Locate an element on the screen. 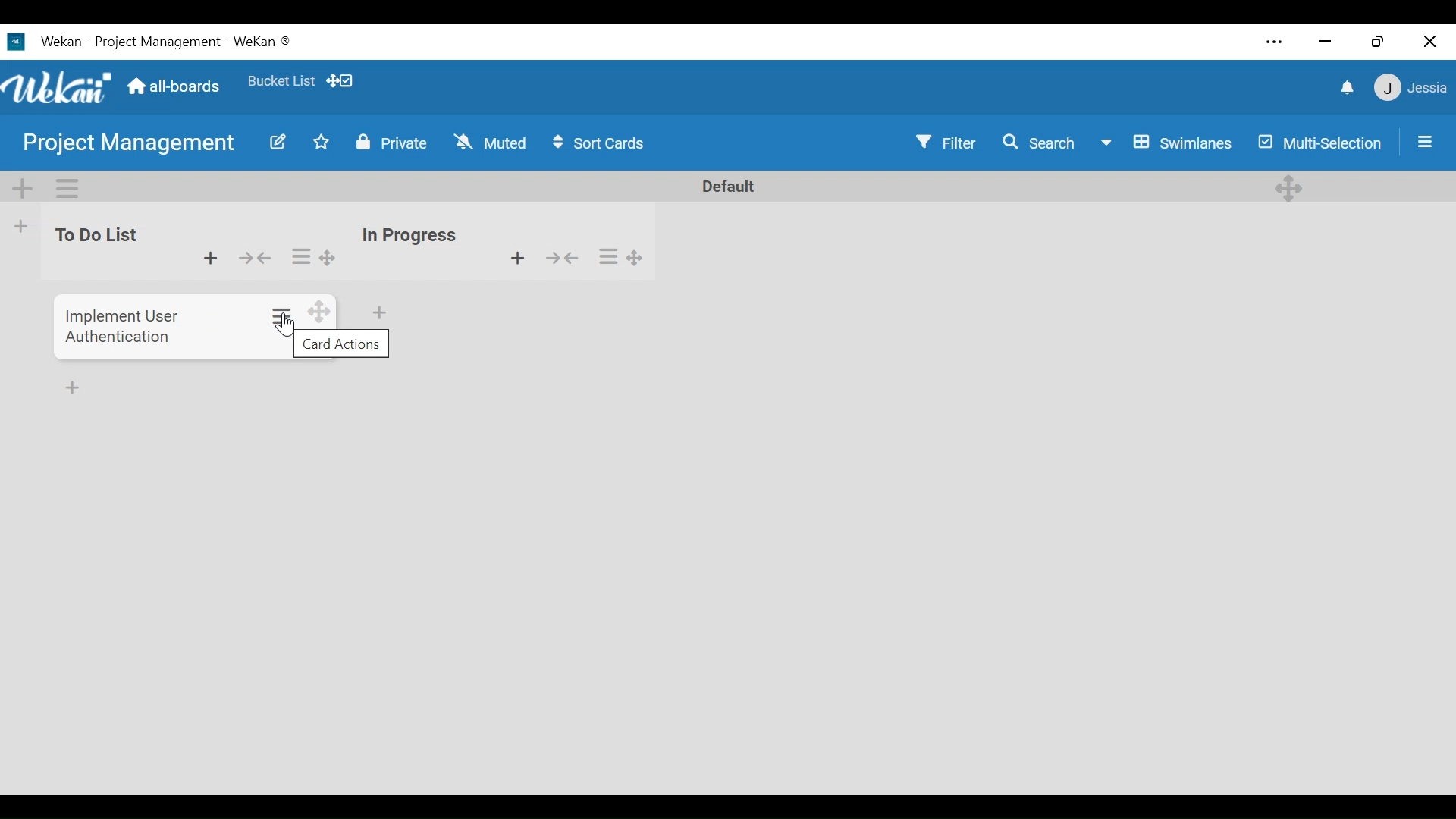  add card to the bottom of the list is located at coordinates (381, 312).